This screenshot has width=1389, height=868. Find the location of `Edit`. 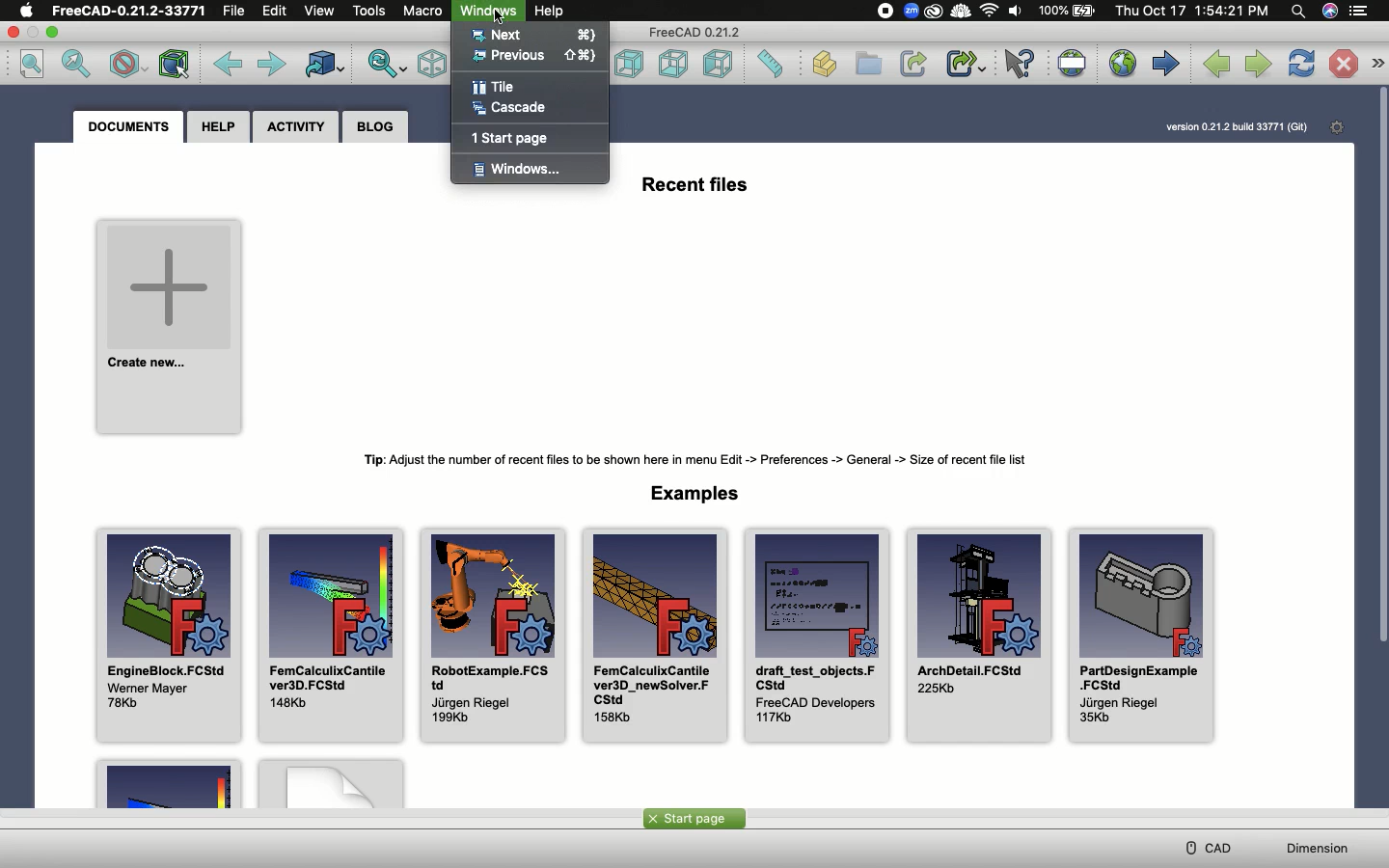

Edit is located at coordinates (278, 12).